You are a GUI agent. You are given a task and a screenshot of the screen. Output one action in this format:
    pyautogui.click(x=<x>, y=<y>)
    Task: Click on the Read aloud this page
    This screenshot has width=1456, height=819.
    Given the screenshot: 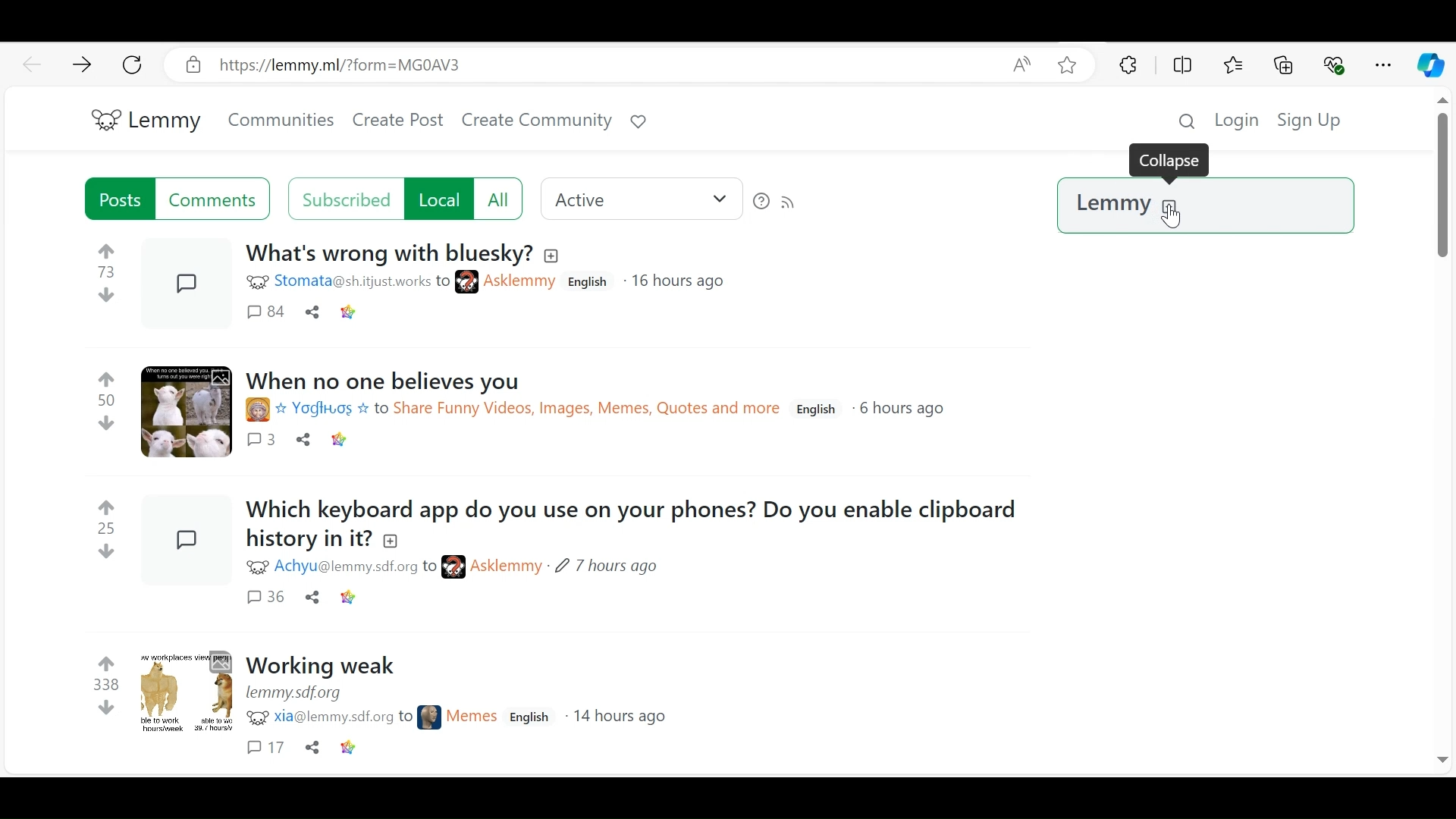 What is the action you would take?
    pyautogui.click(x=1021, y=65)
    